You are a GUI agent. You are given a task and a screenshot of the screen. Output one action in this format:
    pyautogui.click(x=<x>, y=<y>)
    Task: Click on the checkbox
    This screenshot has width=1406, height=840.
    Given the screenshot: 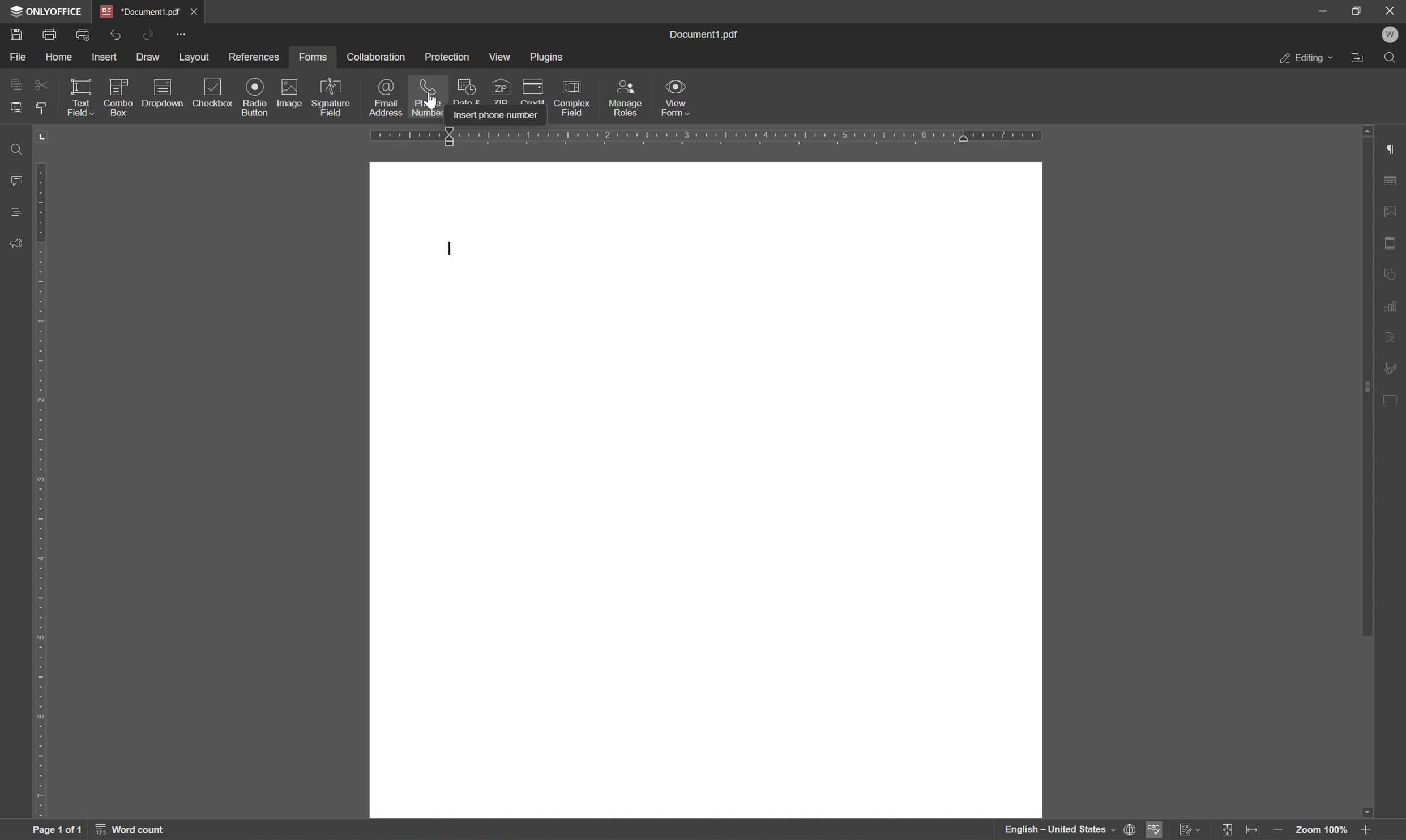 What is the action you would take?
    pyautogui.click(x=216, y=92)
    